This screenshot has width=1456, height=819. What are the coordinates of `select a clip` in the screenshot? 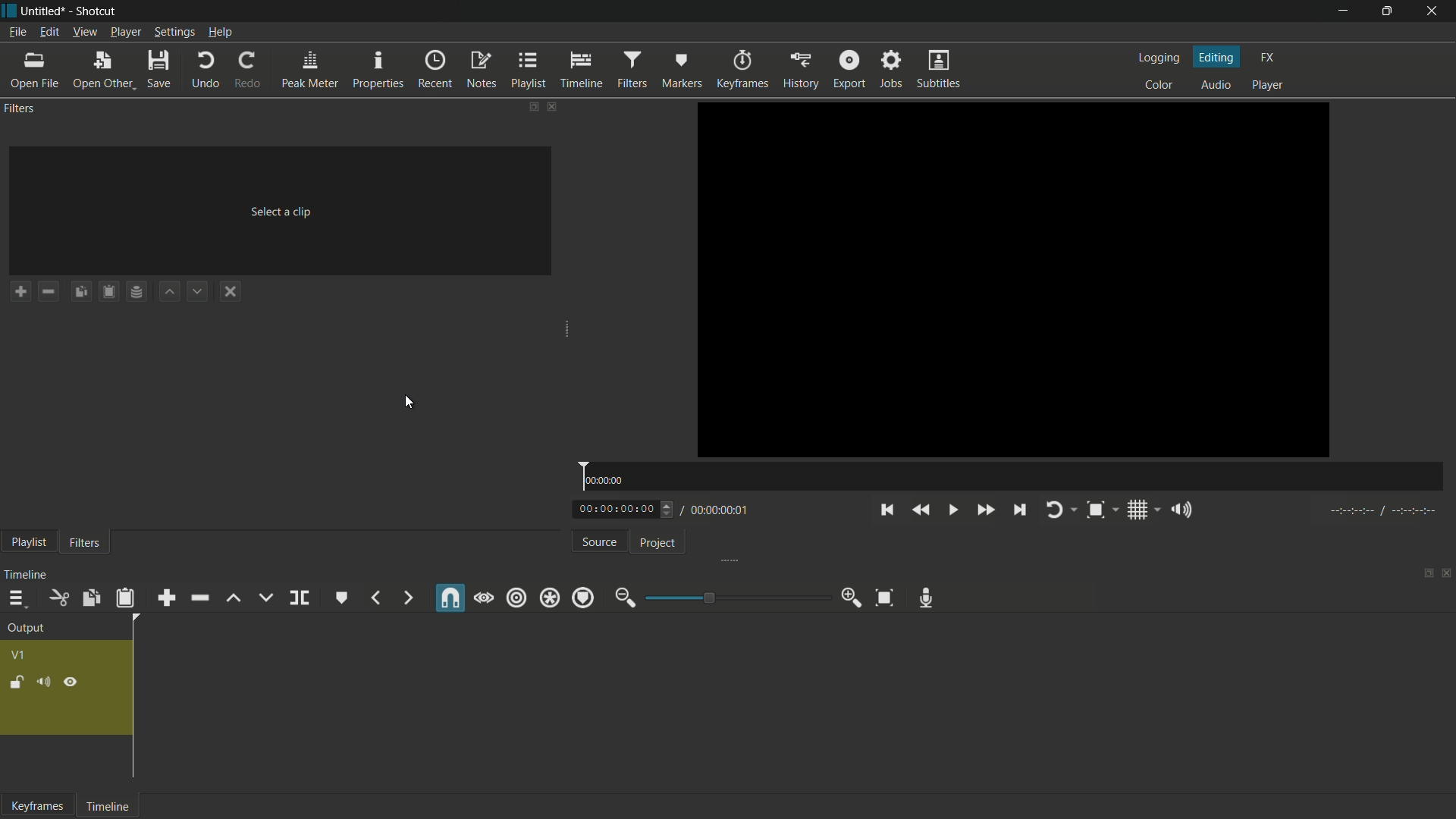 It's located at (281, 211).